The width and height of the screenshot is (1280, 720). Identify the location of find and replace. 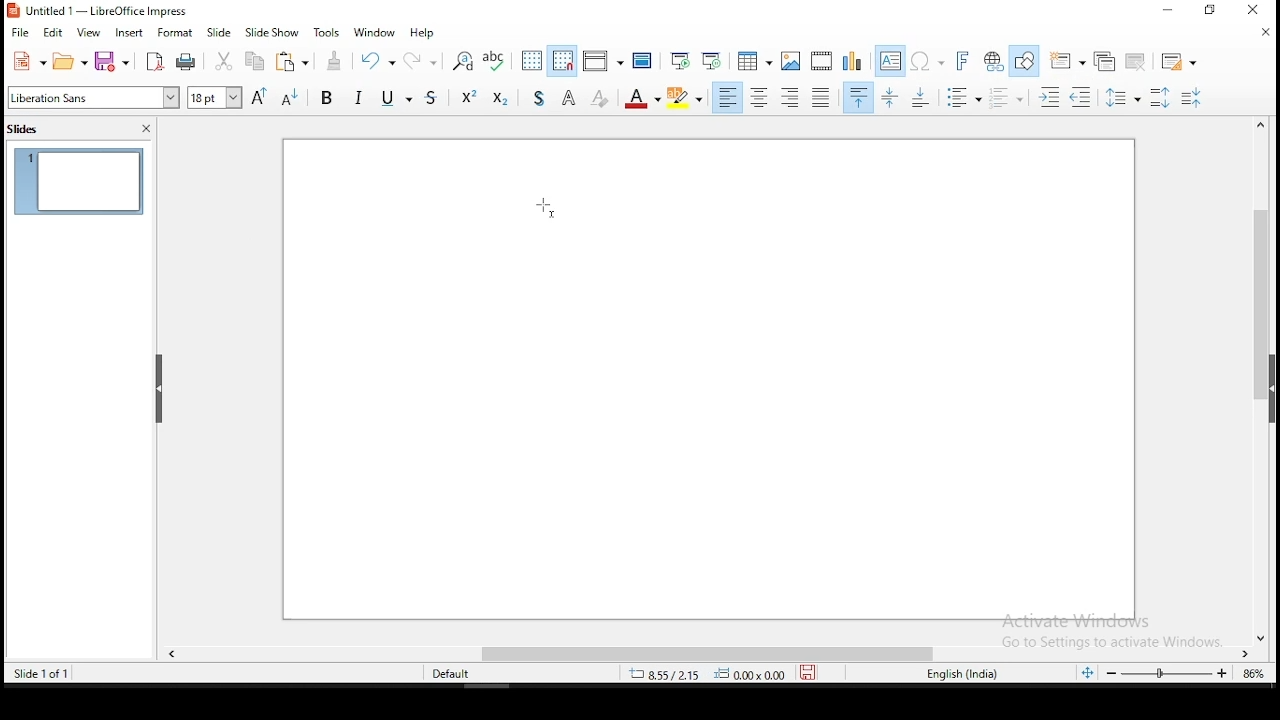
(464, 61).